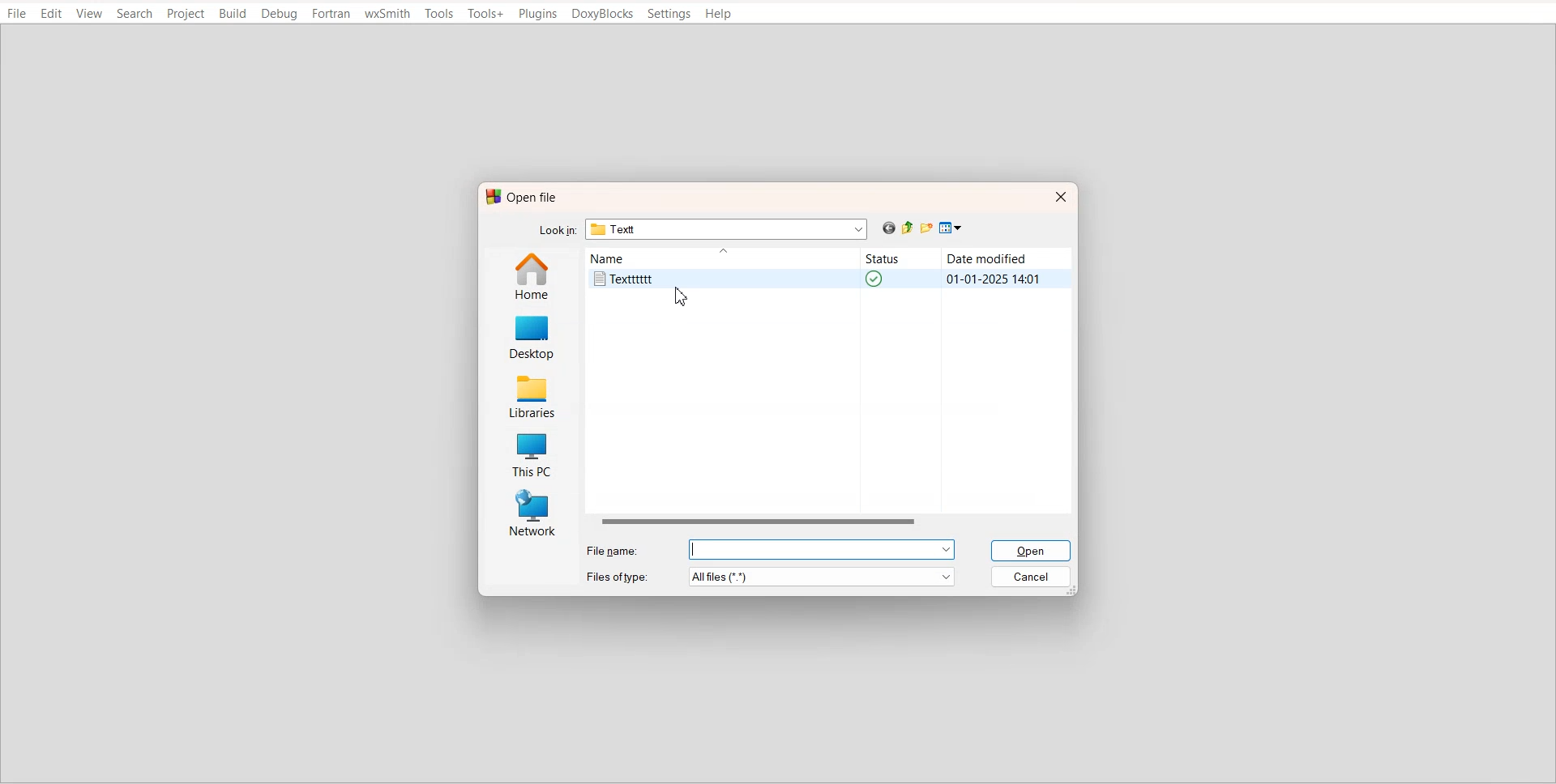 The width and height of the screenshot is (1556, 784). Describe the element at coordinates (987, 257) in the screenshot. I see `Date modified` at that location.